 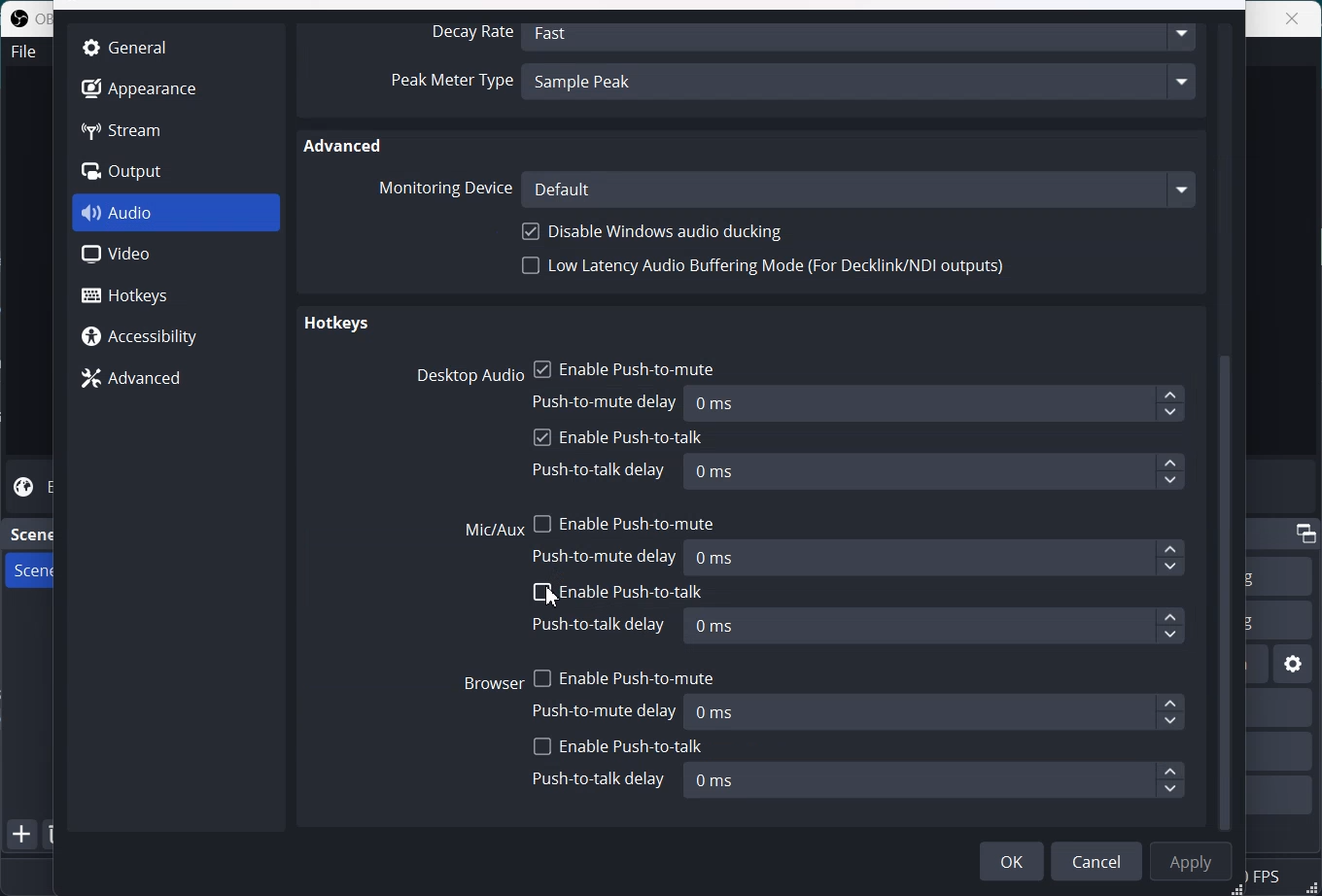 I want to click on OK, so click(x=1012, y=861).